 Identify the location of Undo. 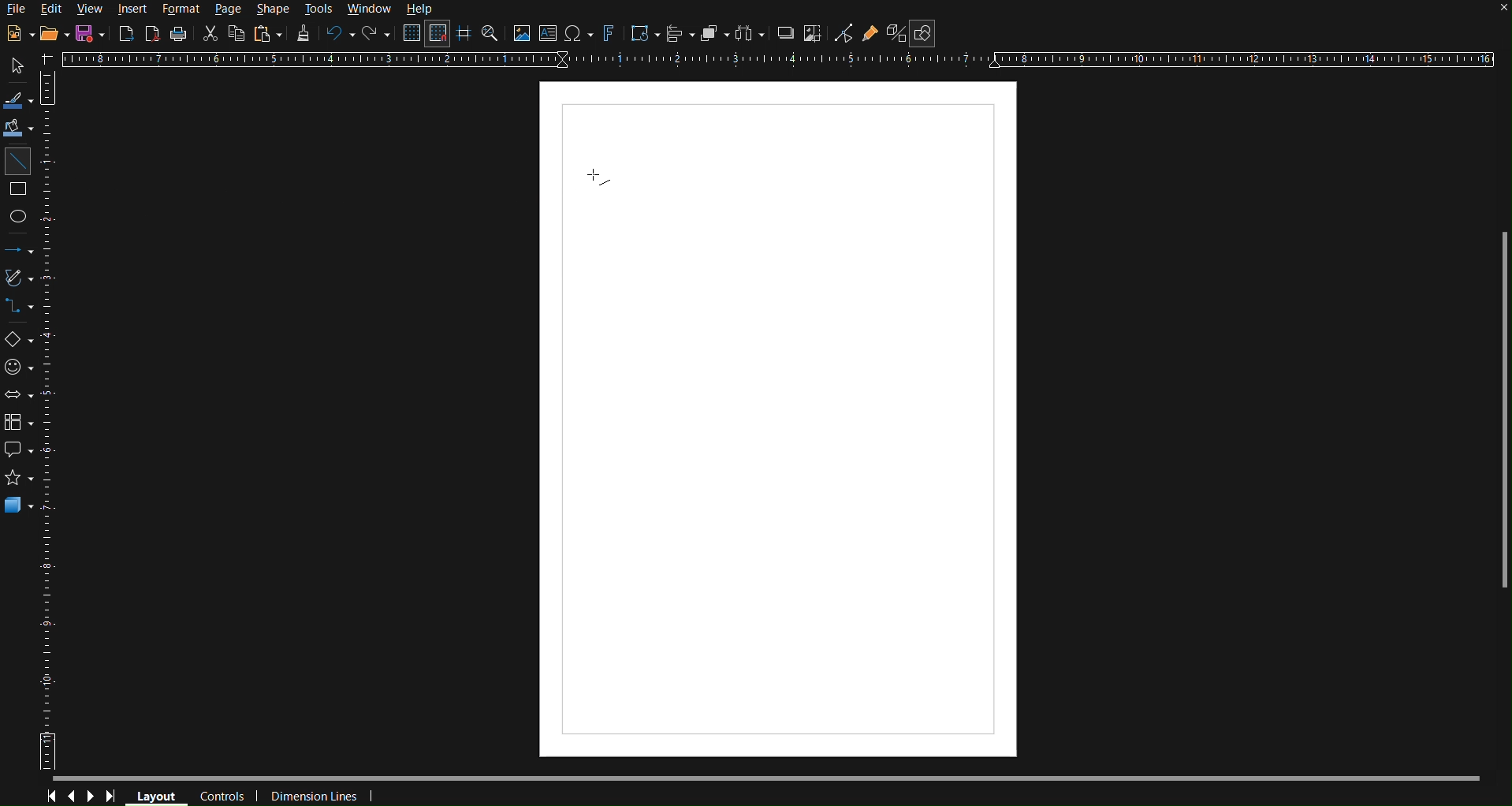
(341, 34).